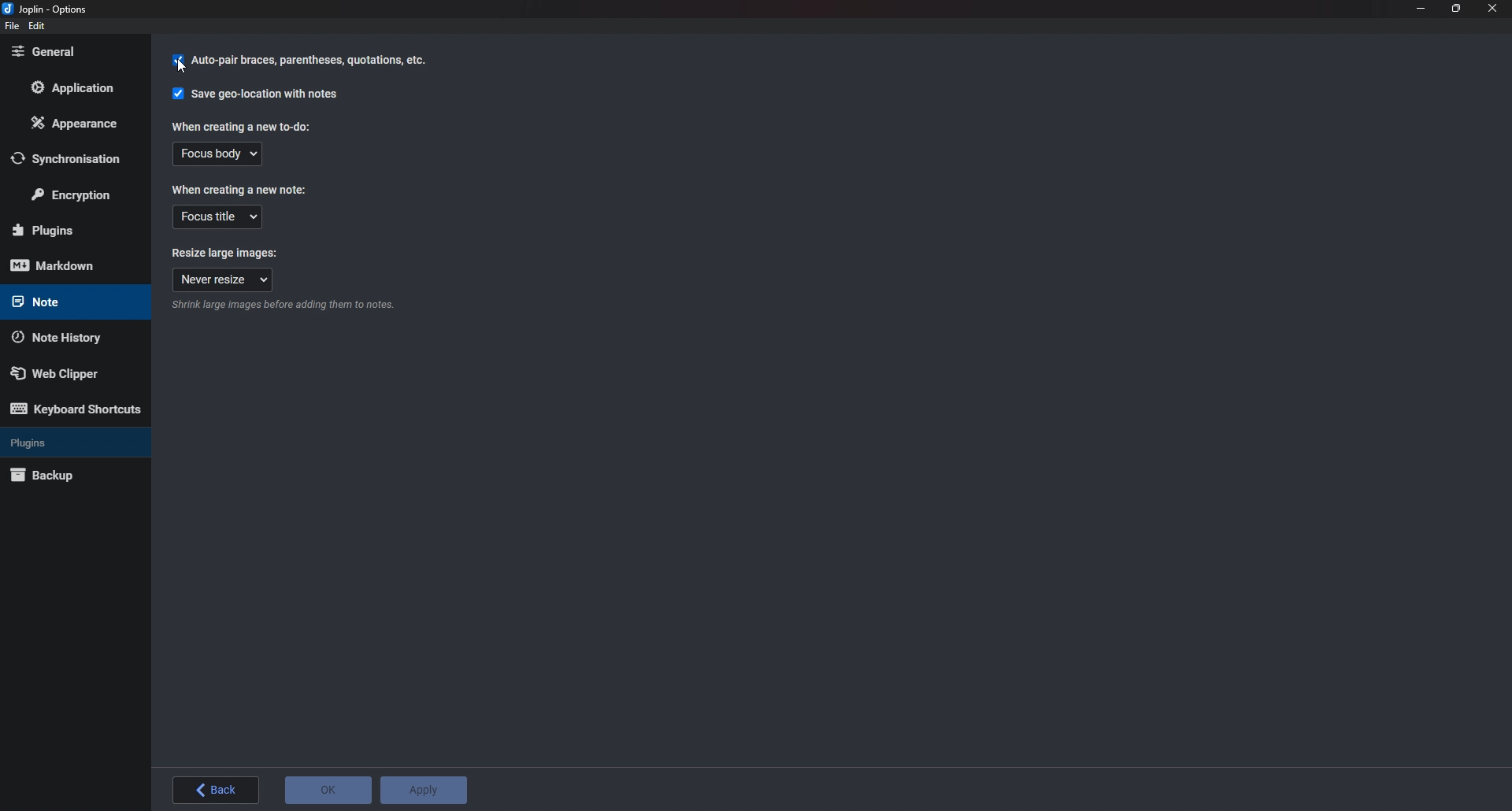 Image resolution: width=1512 pixels, height=811 pixels. Describe the element at coordinates (70, 195) in the screenshot. I see `Encryption` at that location.